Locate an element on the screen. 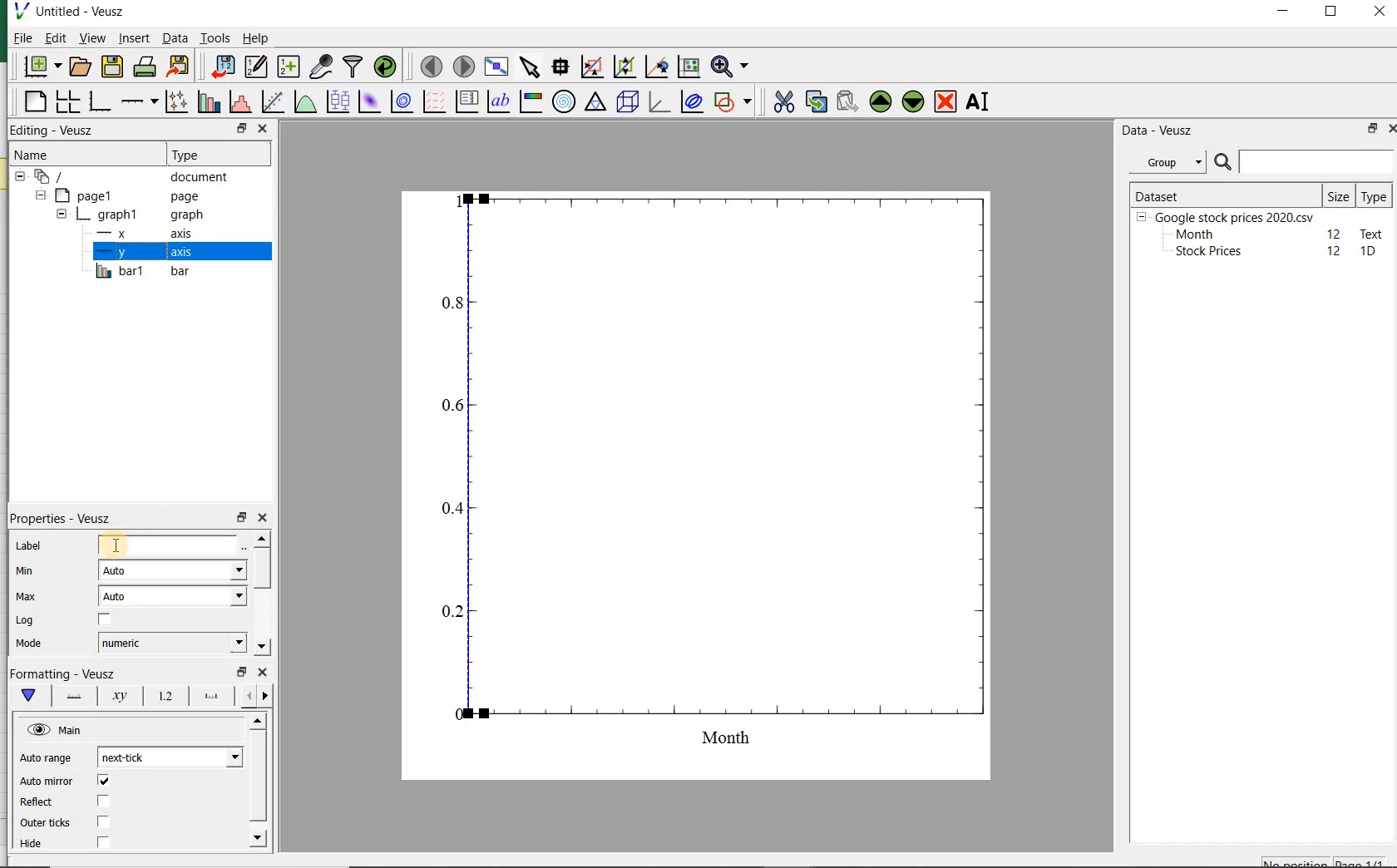 The image size is (1397, 868). plot covariance ellipses is located at coordinates (692, 102).